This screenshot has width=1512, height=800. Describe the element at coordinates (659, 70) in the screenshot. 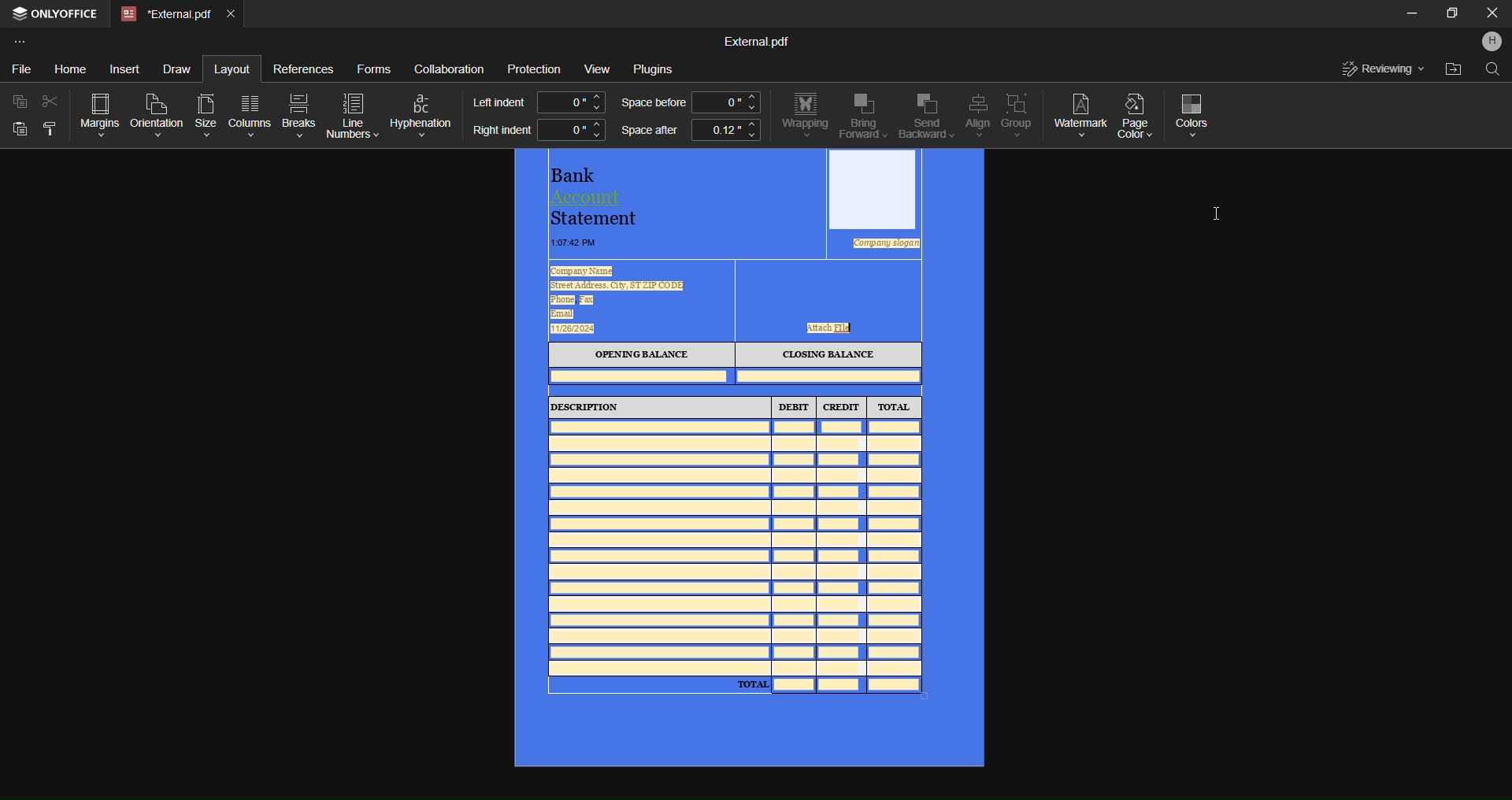

I see `Plugins` at that location.